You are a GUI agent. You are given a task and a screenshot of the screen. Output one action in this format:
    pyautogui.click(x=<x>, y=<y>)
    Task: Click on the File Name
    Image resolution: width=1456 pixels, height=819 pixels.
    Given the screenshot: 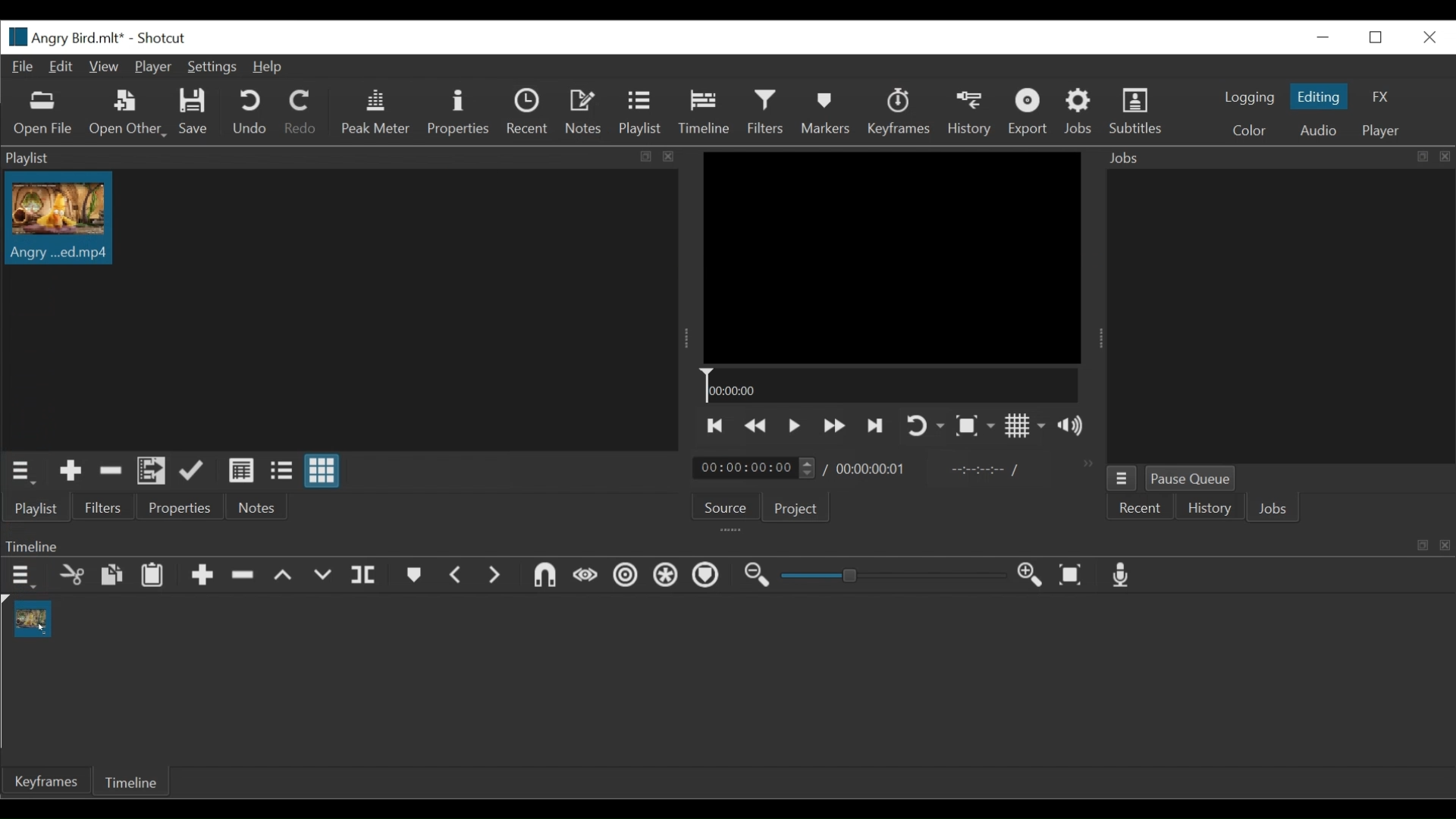 What is the action you would take?
    pyautogui.click(x=63, y=37)
    